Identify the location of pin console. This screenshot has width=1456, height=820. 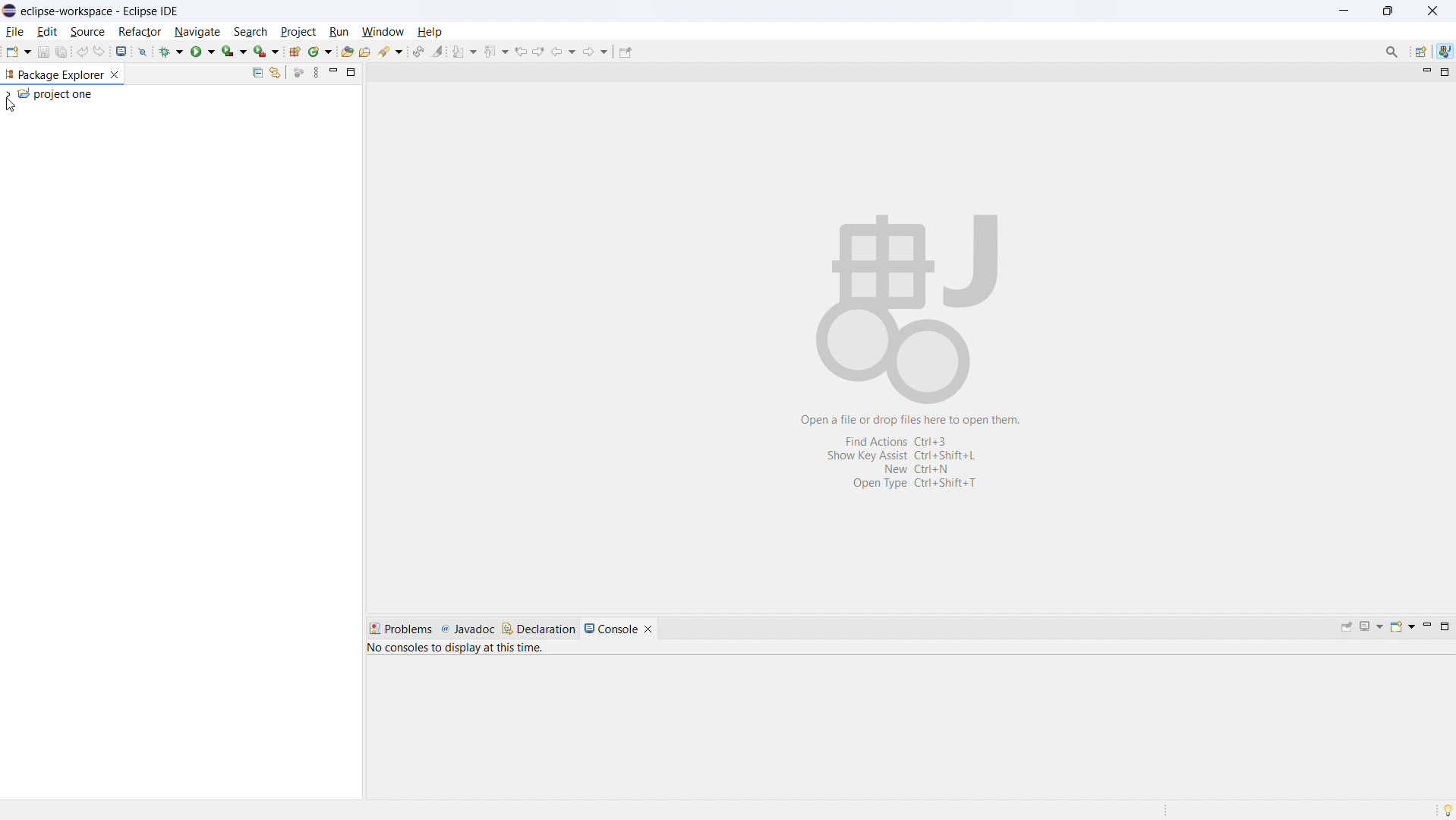
(1347, 627).